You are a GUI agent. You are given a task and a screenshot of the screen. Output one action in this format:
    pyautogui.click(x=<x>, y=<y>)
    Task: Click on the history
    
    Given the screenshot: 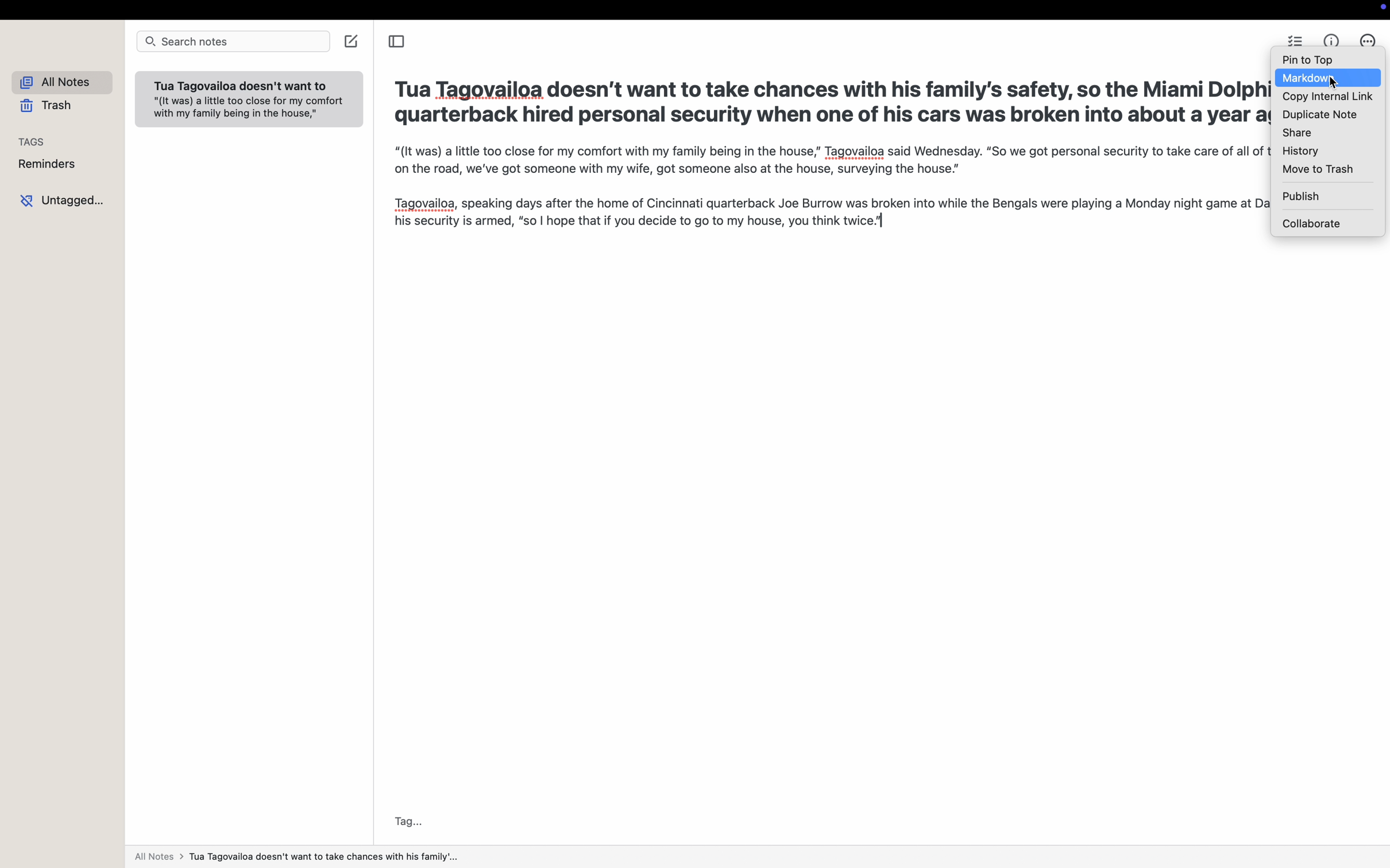 What is the action you would take?
    pyautogui.click(x=1300, y=152)
    